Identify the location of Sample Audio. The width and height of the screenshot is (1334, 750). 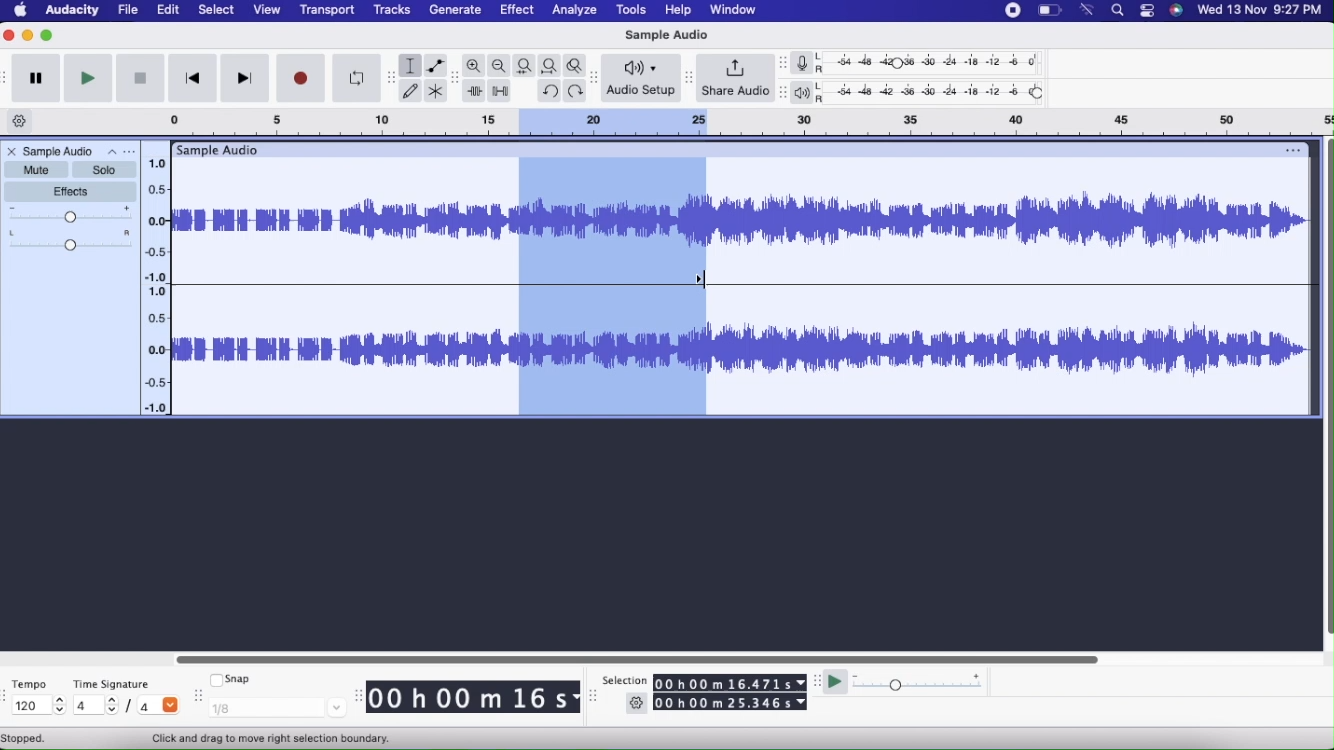
(664, 35).